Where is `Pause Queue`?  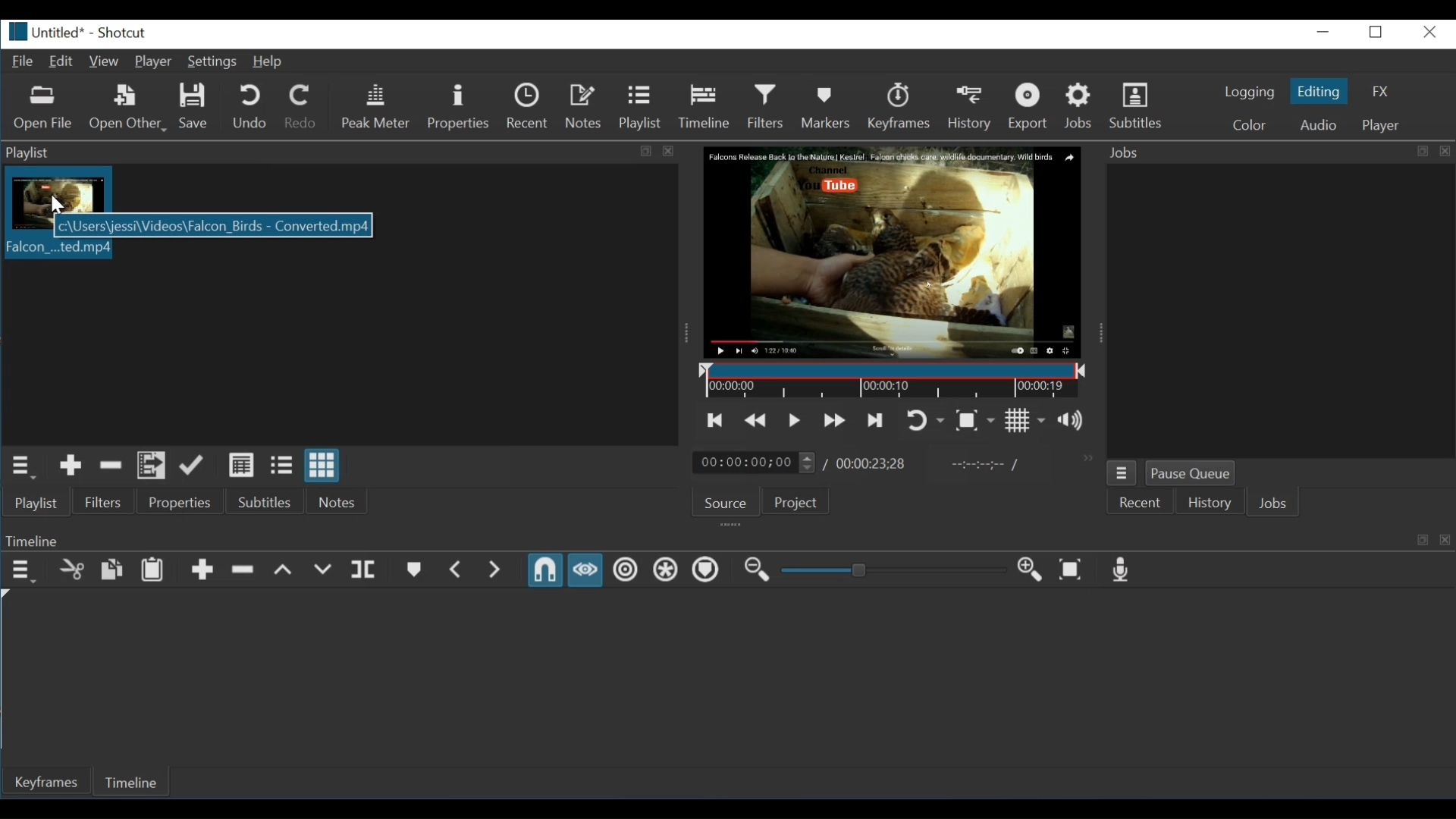
Pause Queue is located at coordinates (1190, 474).